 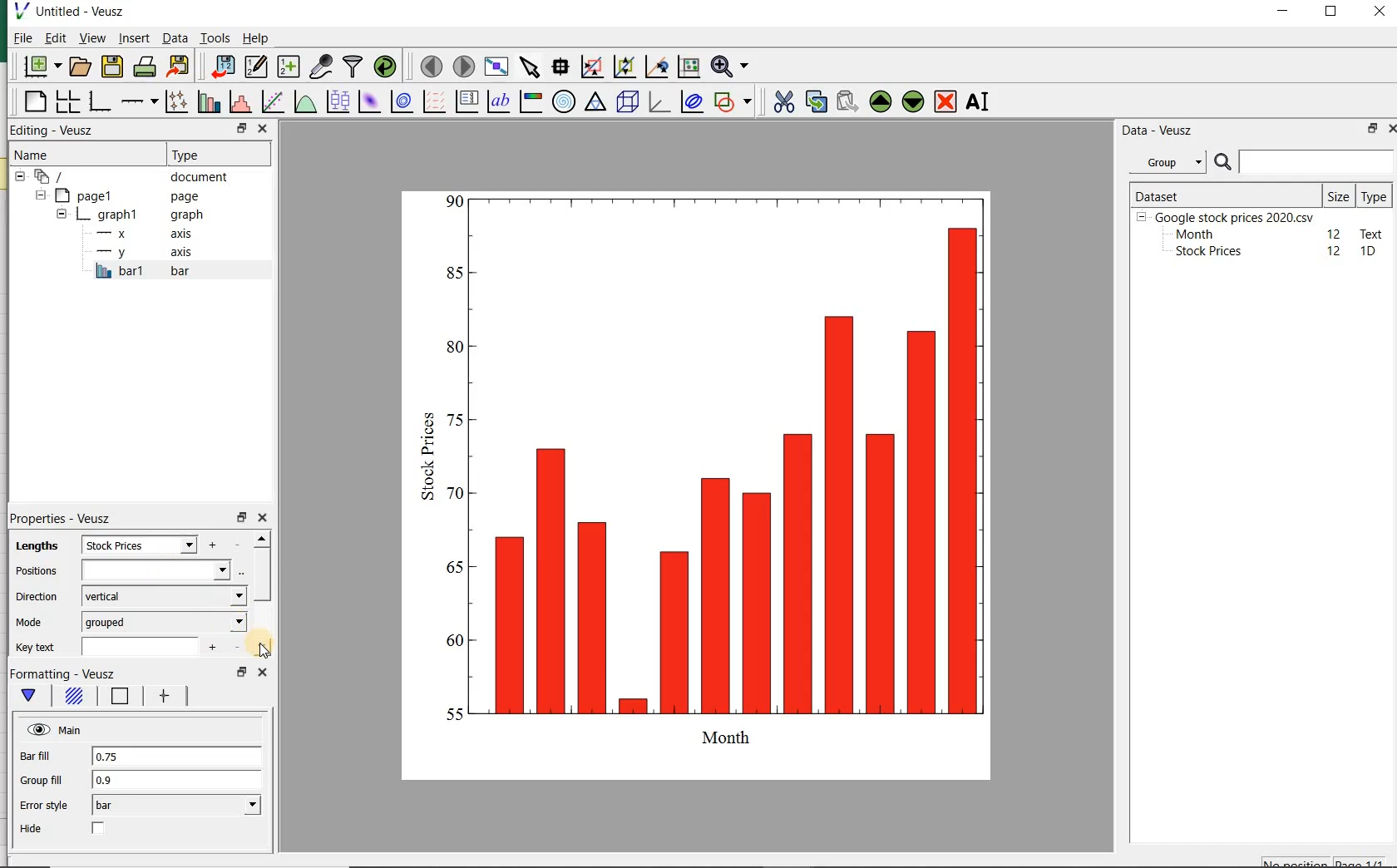 I want to click on Data, so click(x=175, y=40).